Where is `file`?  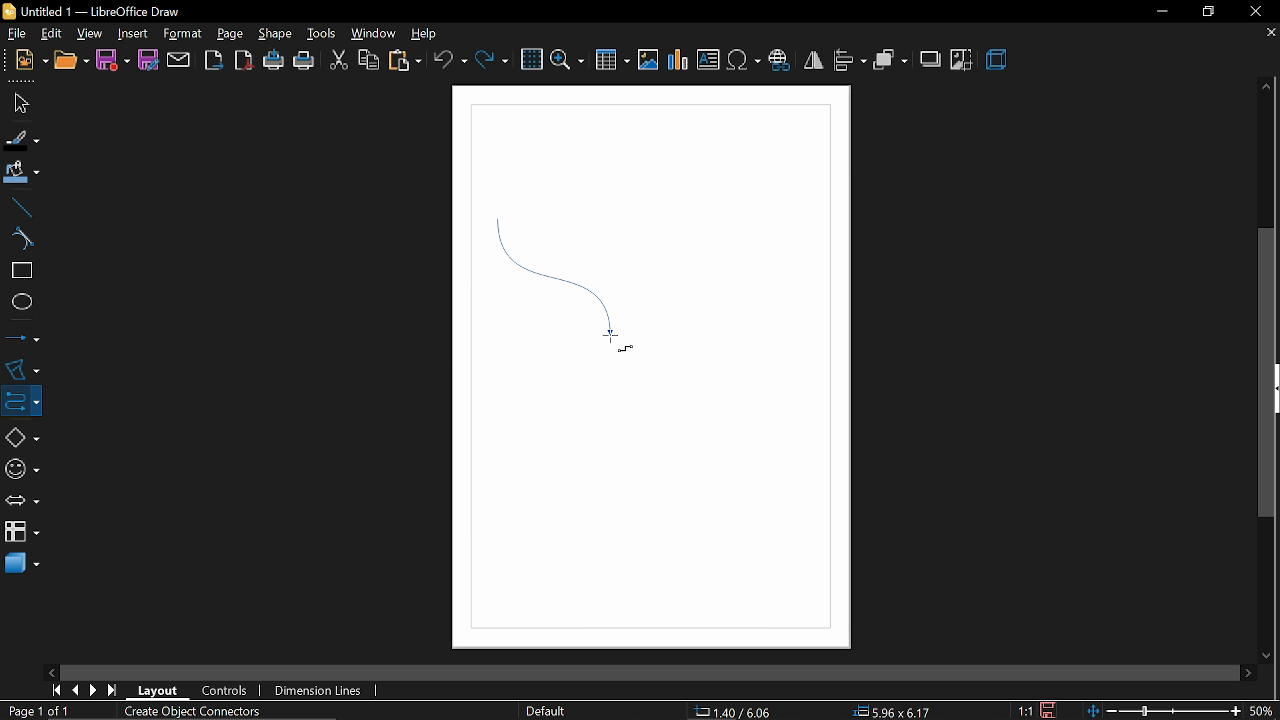 file is located at coordinates (13, 33).